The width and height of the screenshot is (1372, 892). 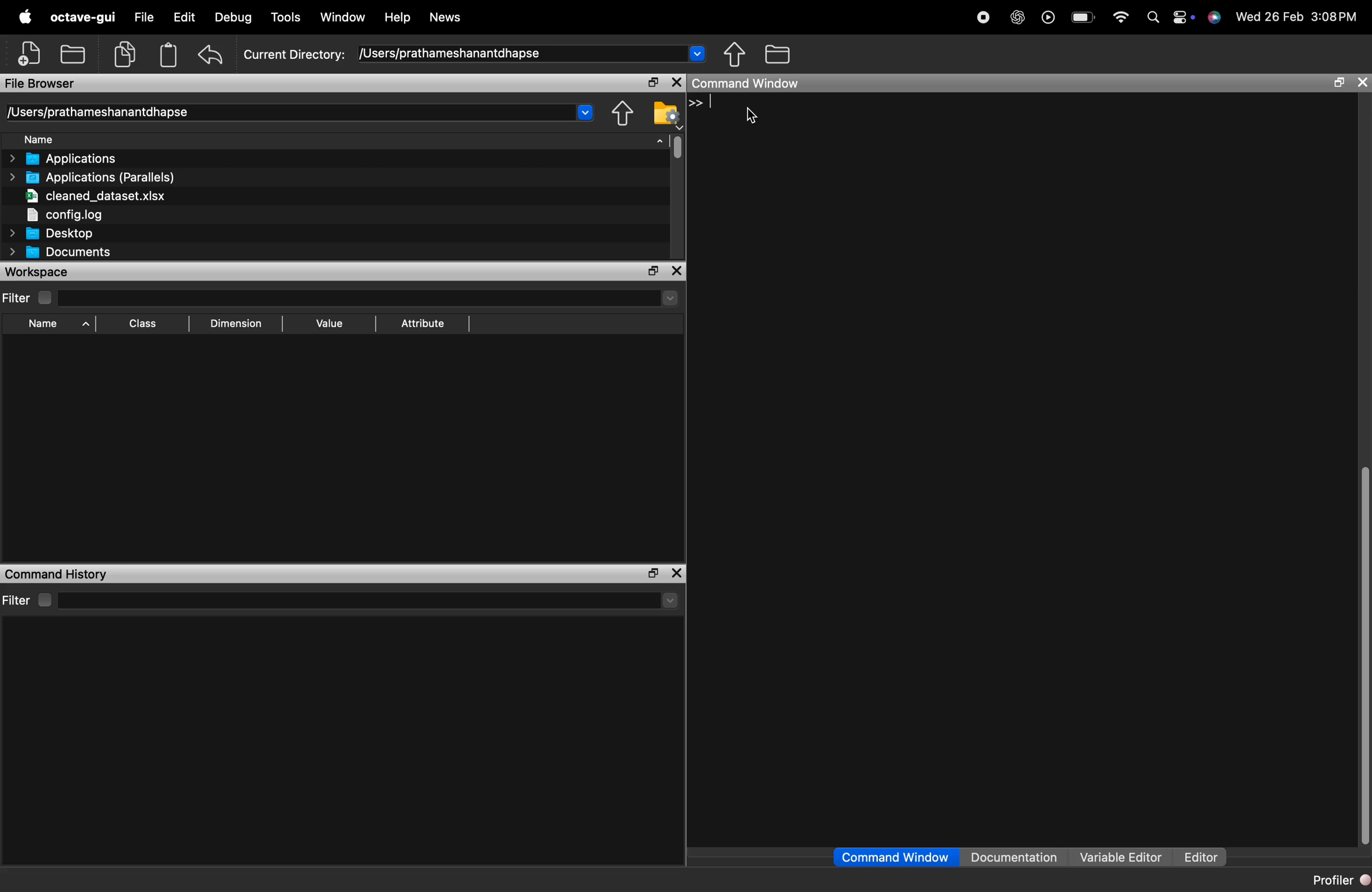 I want to click on close, so click(x=1361, y=84).